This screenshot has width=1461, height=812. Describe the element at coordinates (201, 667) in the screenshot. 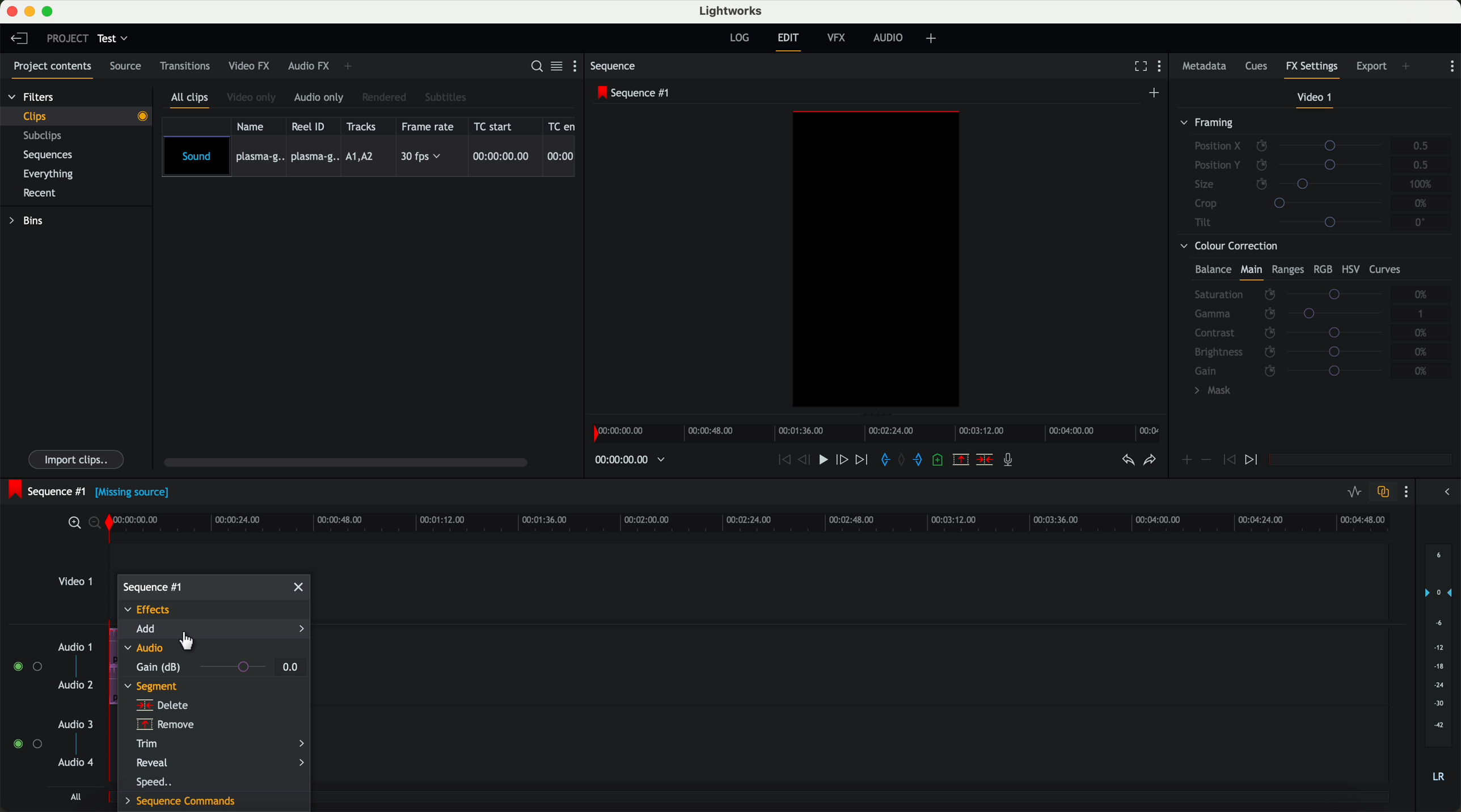

I see `gain (dB)` at that location.